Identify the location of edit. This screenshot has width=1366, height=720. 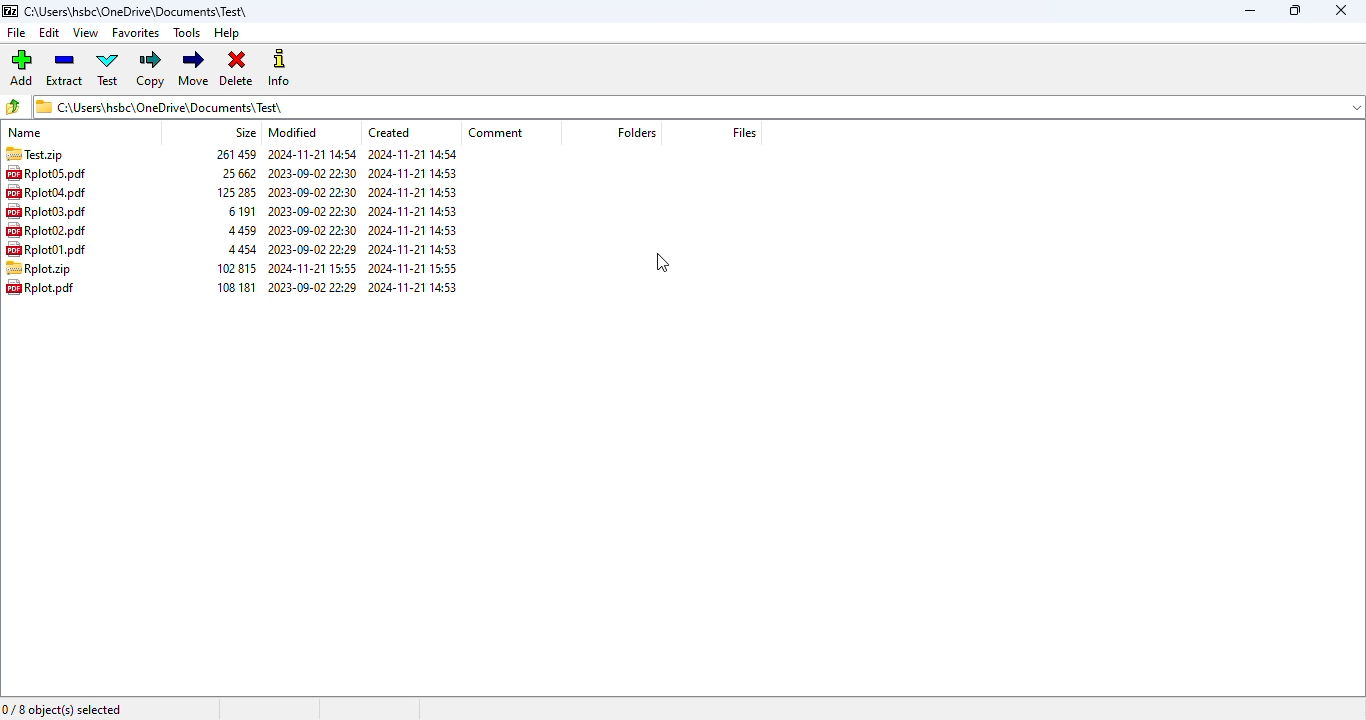
(50, 33).